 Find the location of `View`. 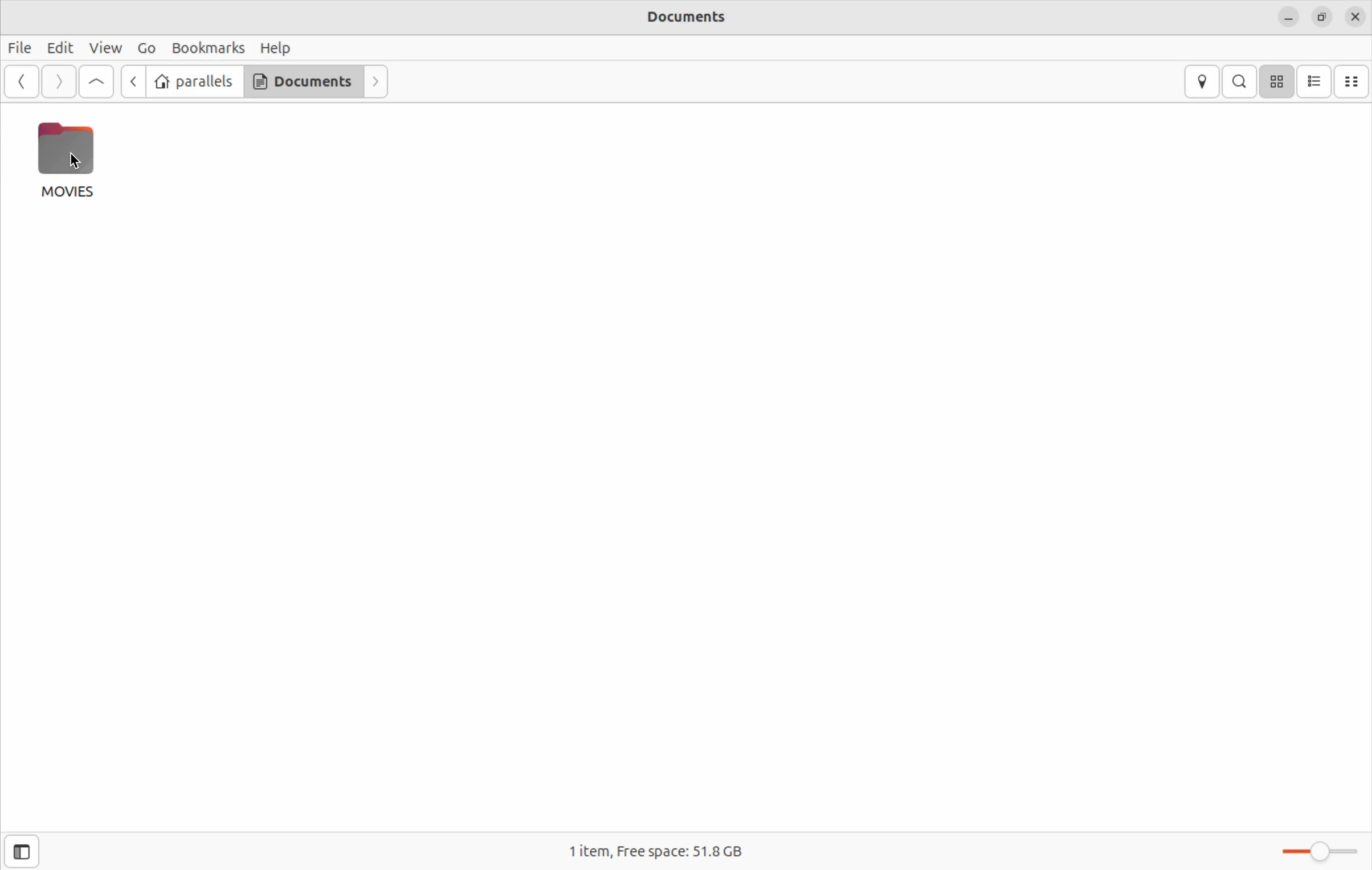

View is located at coordinates (106, 48).